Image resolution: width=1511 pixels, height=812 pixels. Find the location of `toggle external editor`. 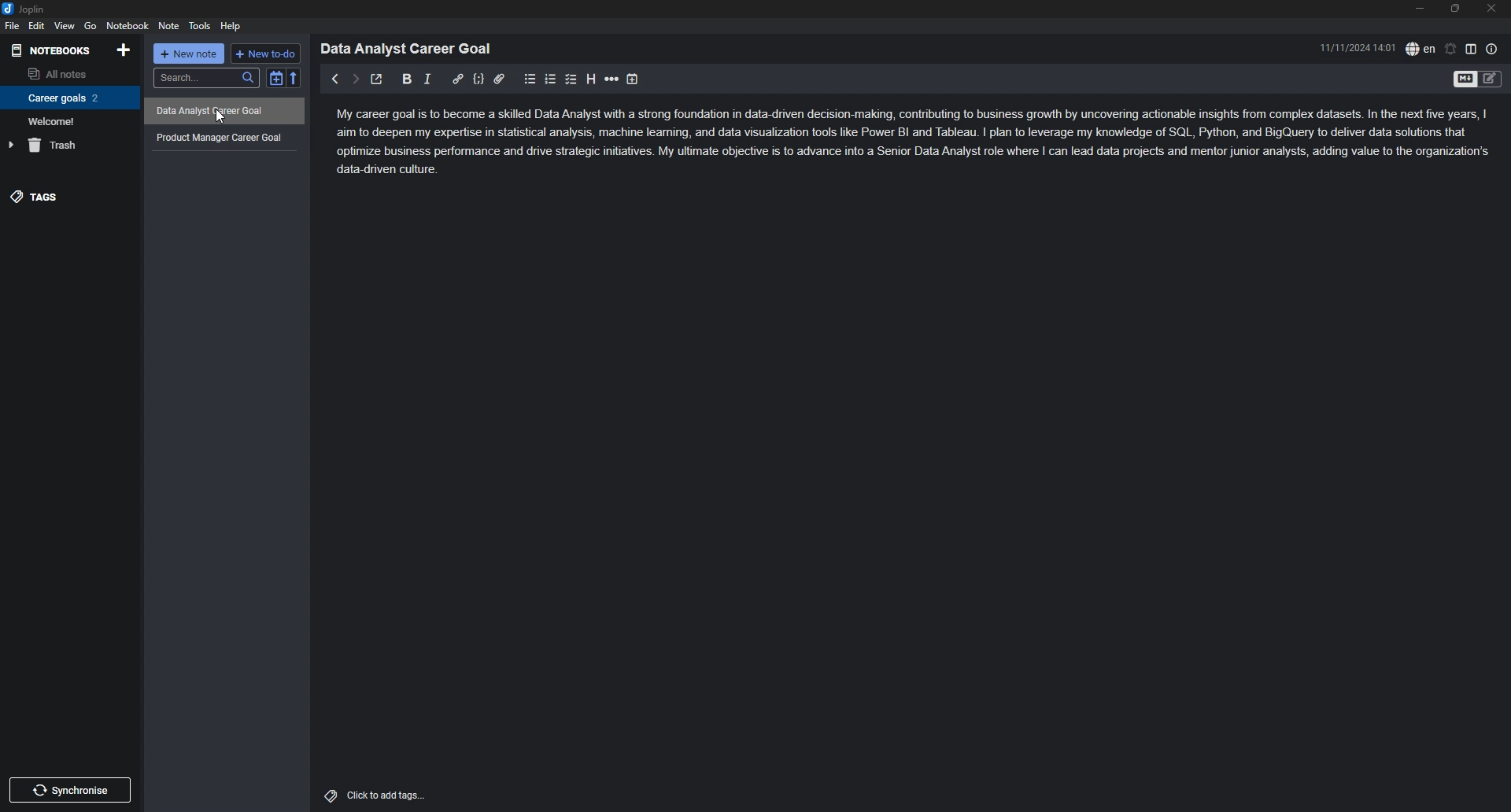

toggle external editor is located at coordinates (378, 79).